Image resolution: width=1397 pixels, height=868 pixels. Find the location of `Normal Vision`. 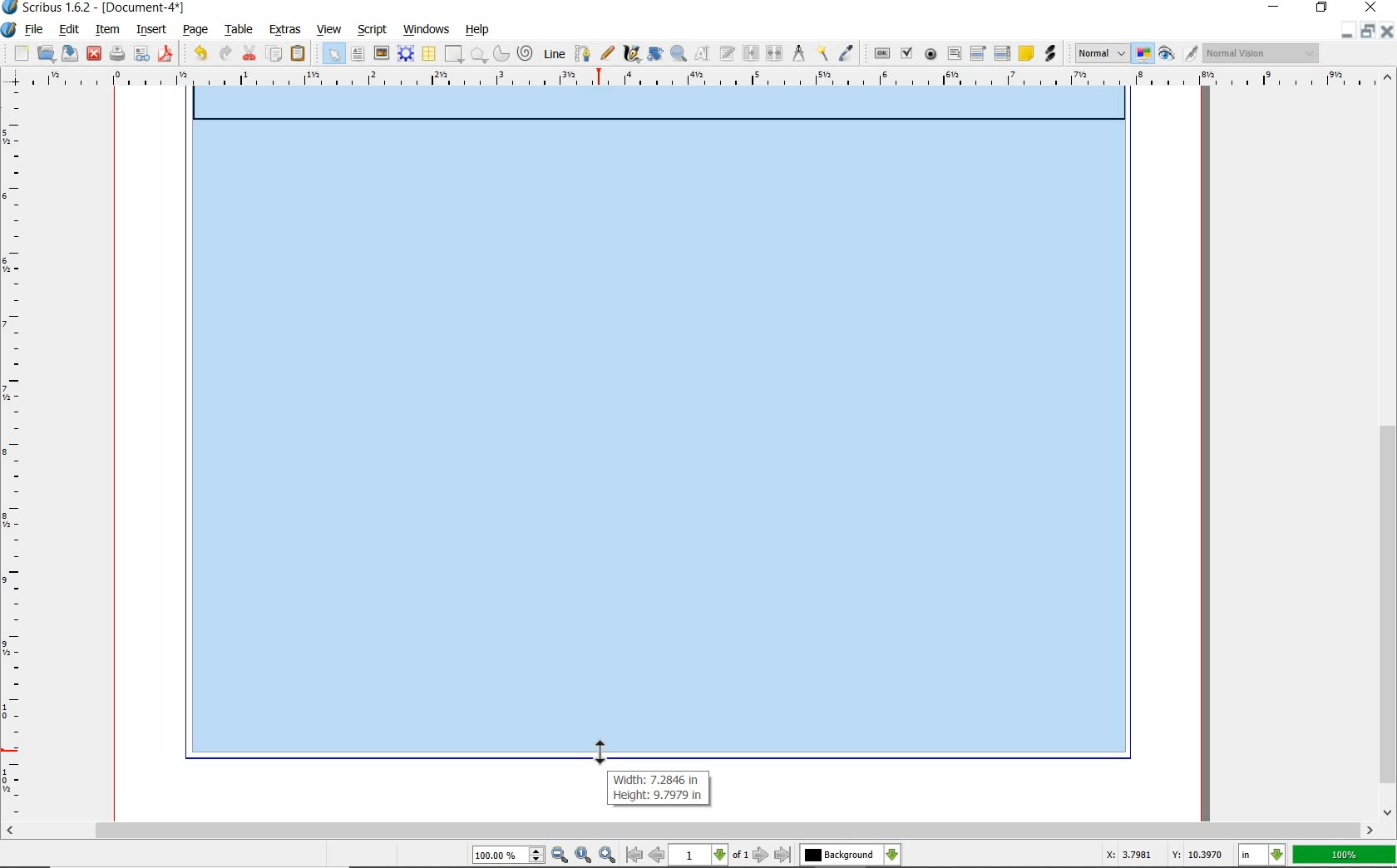

Normal Vision is located at coordinates (1261, 52).